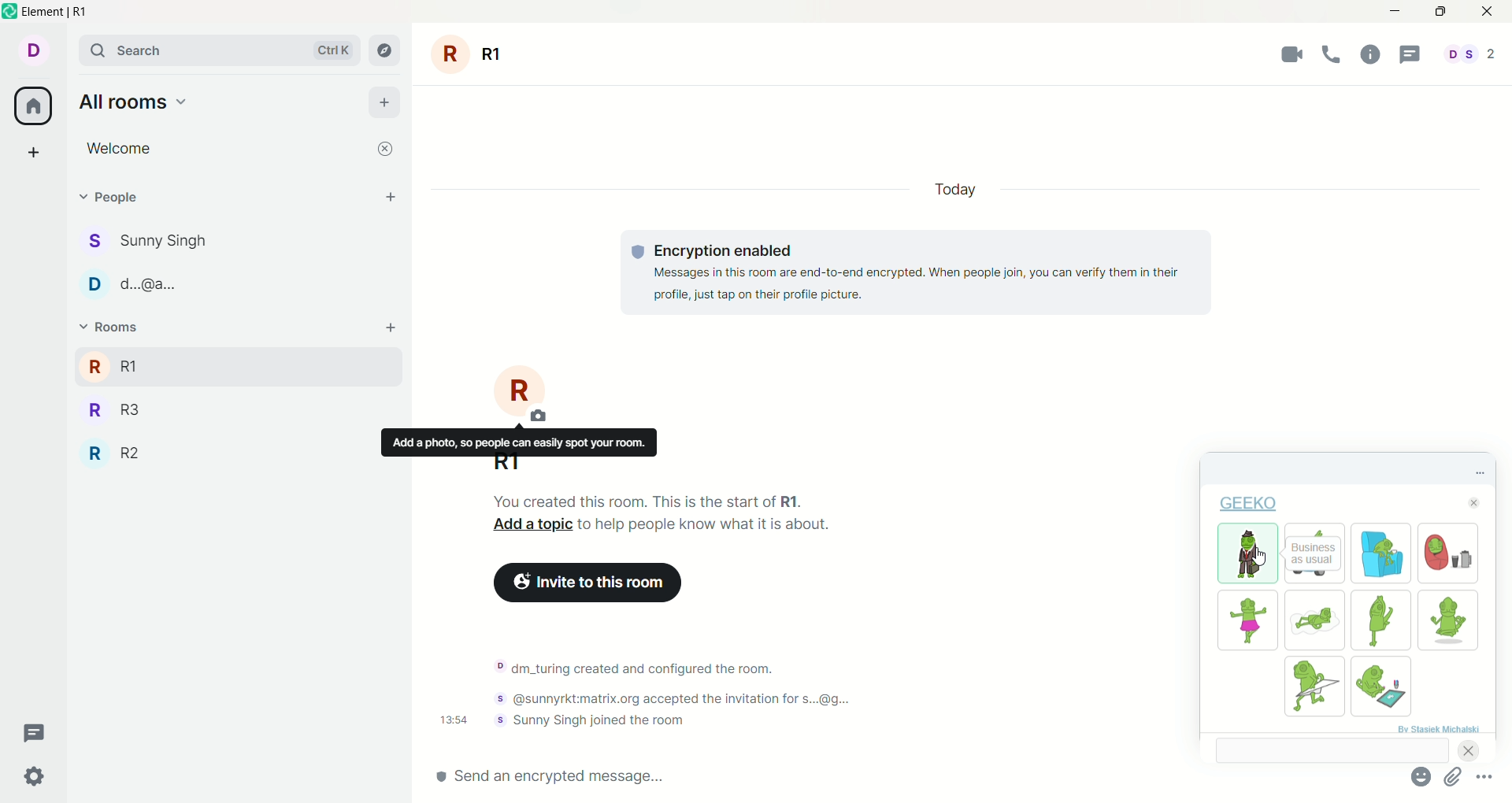  Describe the element at coordinates (10, 11) in the screenshot. I see `Element logo` at that location.